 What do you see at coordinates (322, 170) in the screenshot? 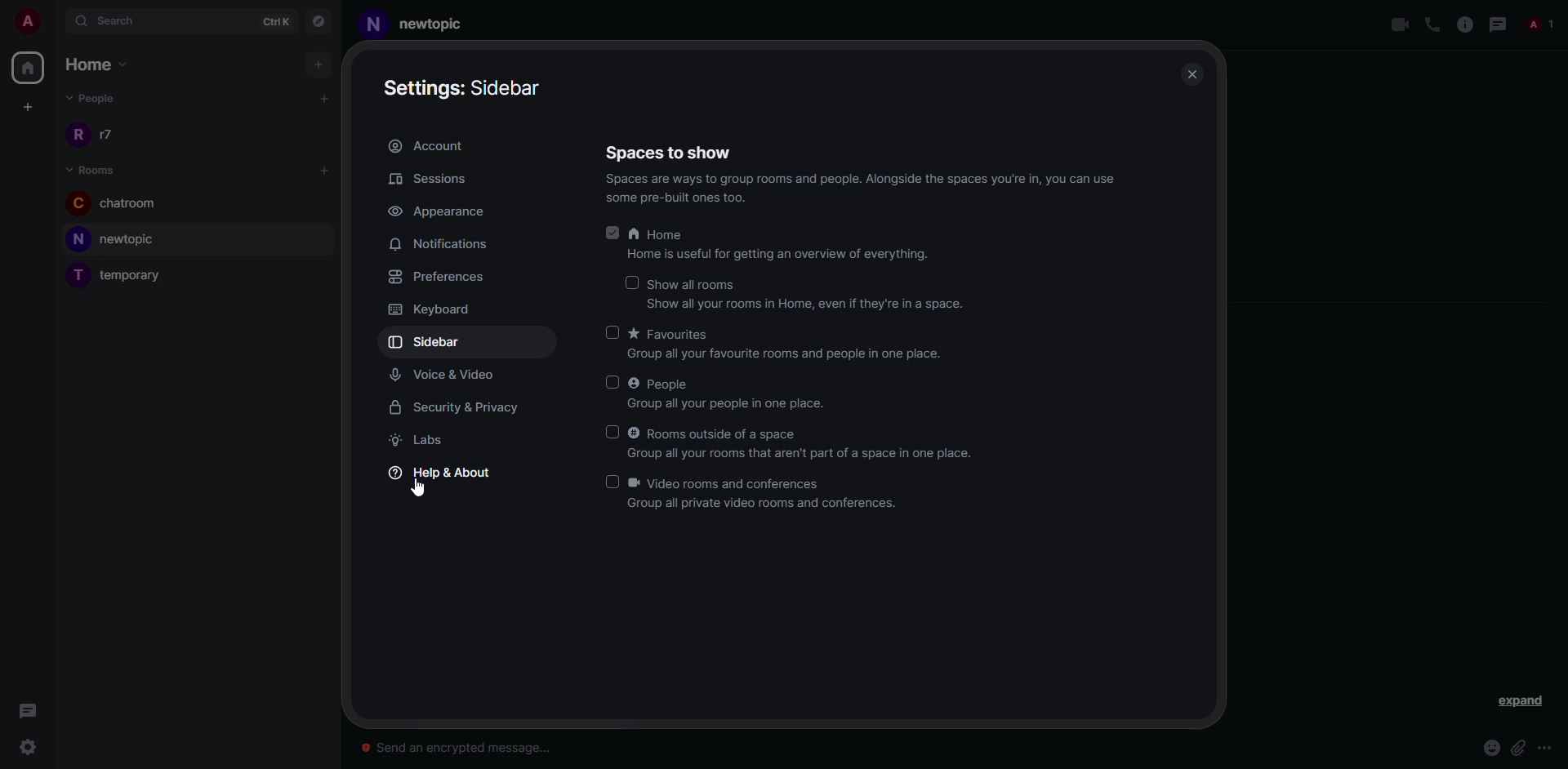
I see `add` at bounding box center [322, 170].